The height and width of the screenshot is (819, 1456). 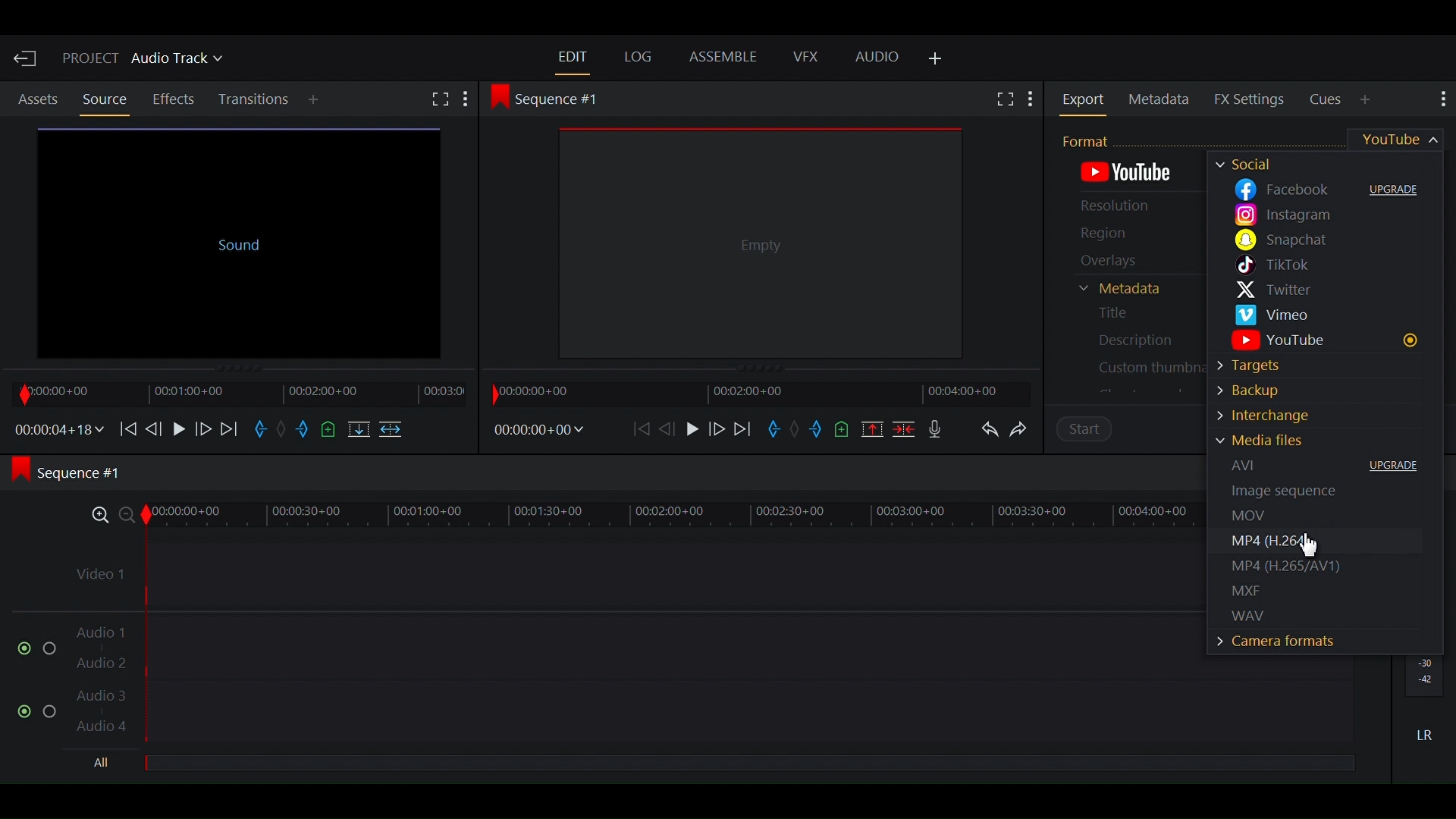 I want to click on FX Settings, so click(x=1250, y=99).